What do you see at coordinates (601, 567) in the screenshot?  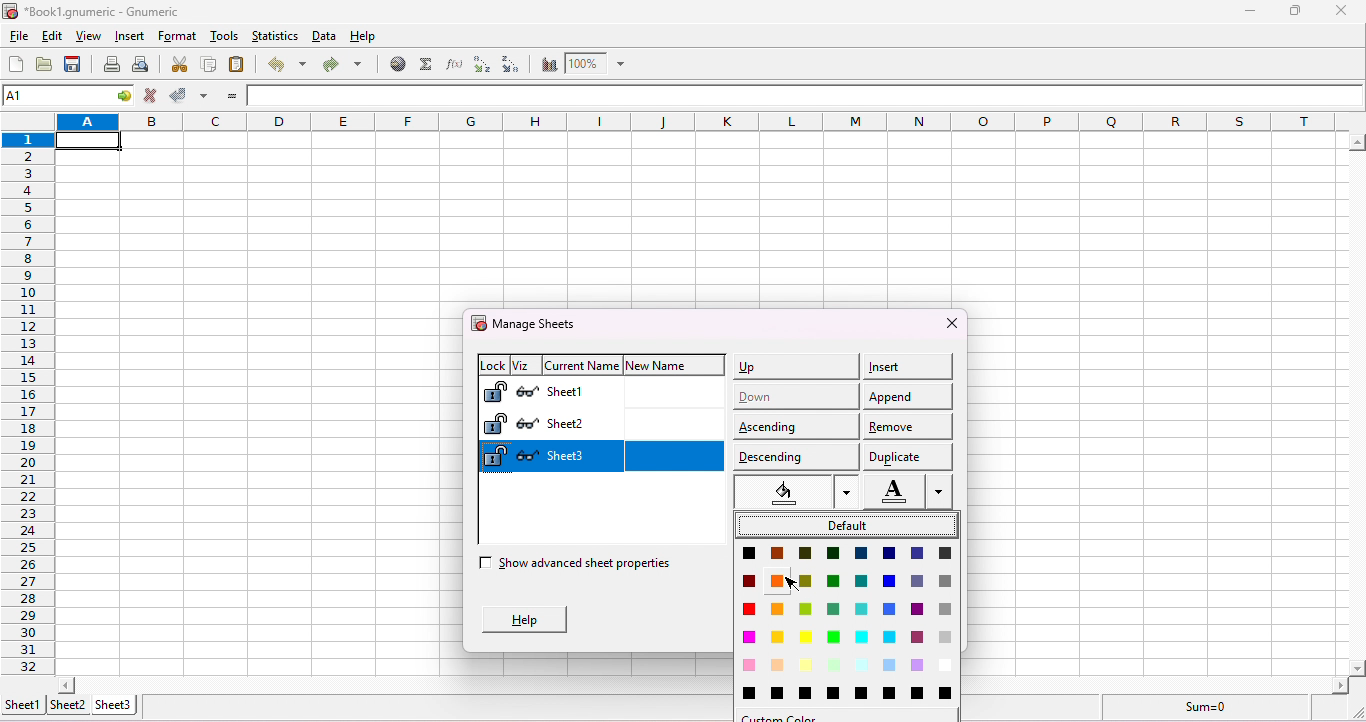 I see `show advanced sheet properties` at bounding box center [601, 567].